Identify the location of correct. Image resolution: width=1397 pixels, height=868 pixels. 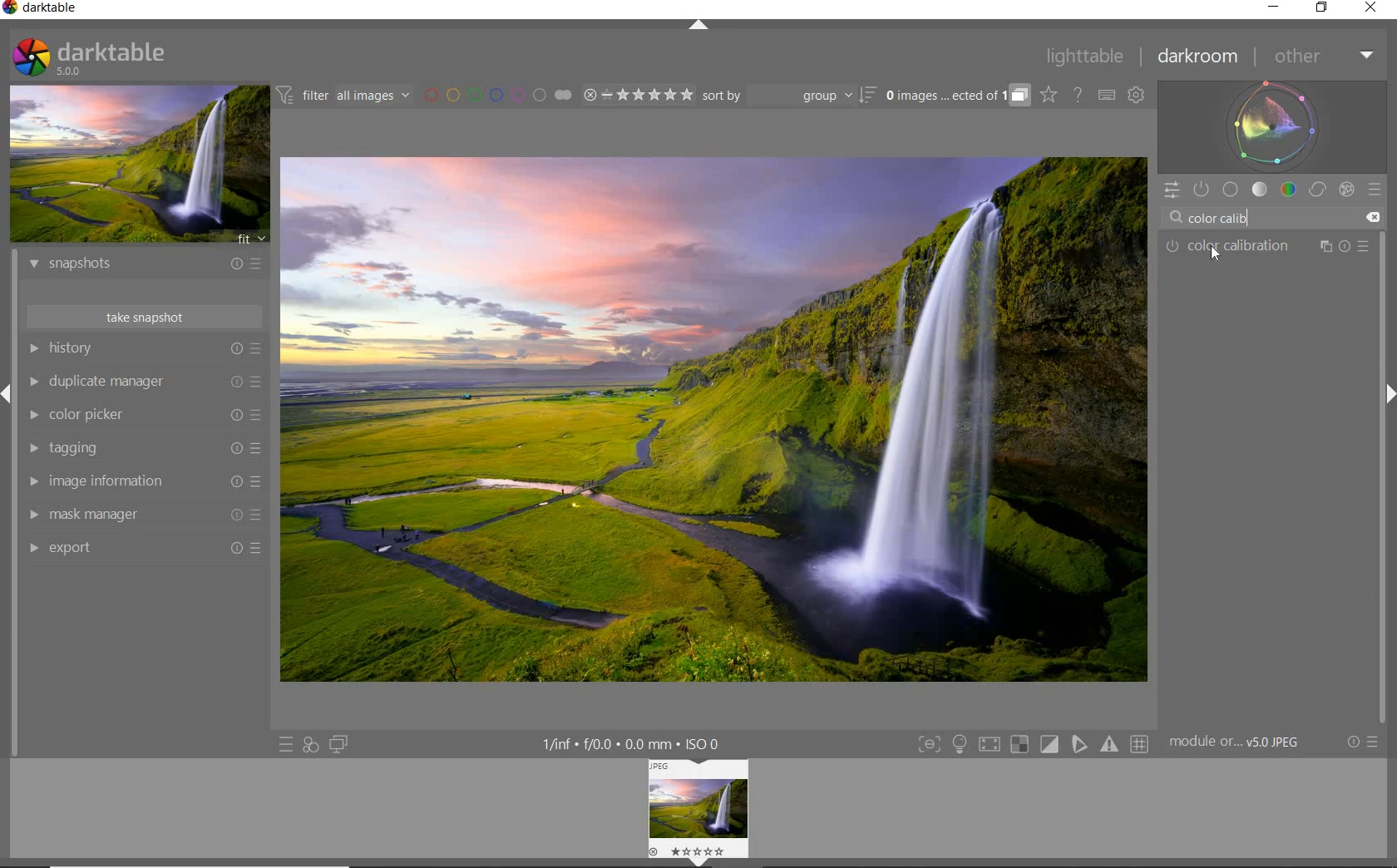
(1316, 189).